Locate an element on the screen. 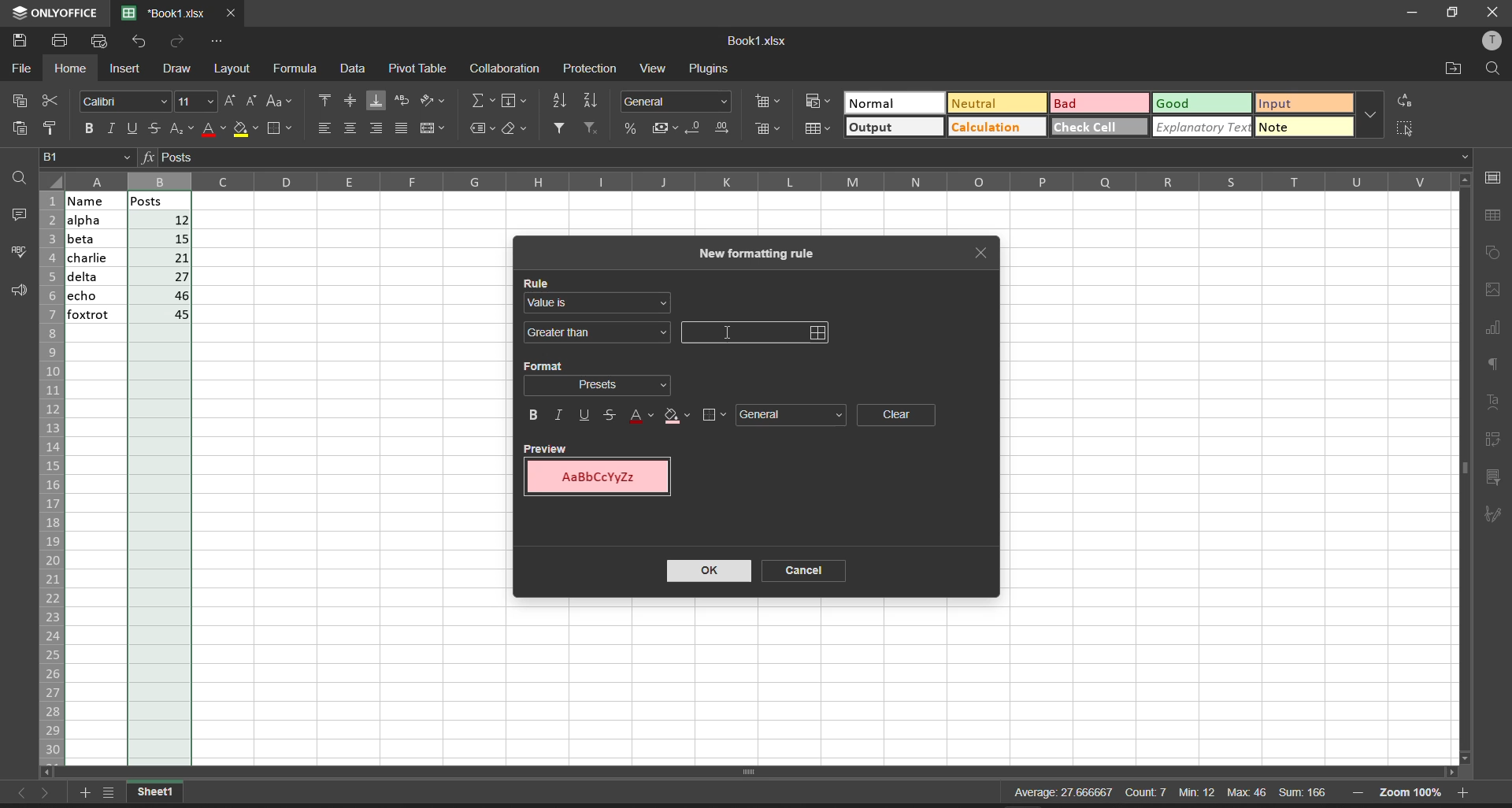 The image size is (1512, 808). align top is located at coordinates (322, 102).